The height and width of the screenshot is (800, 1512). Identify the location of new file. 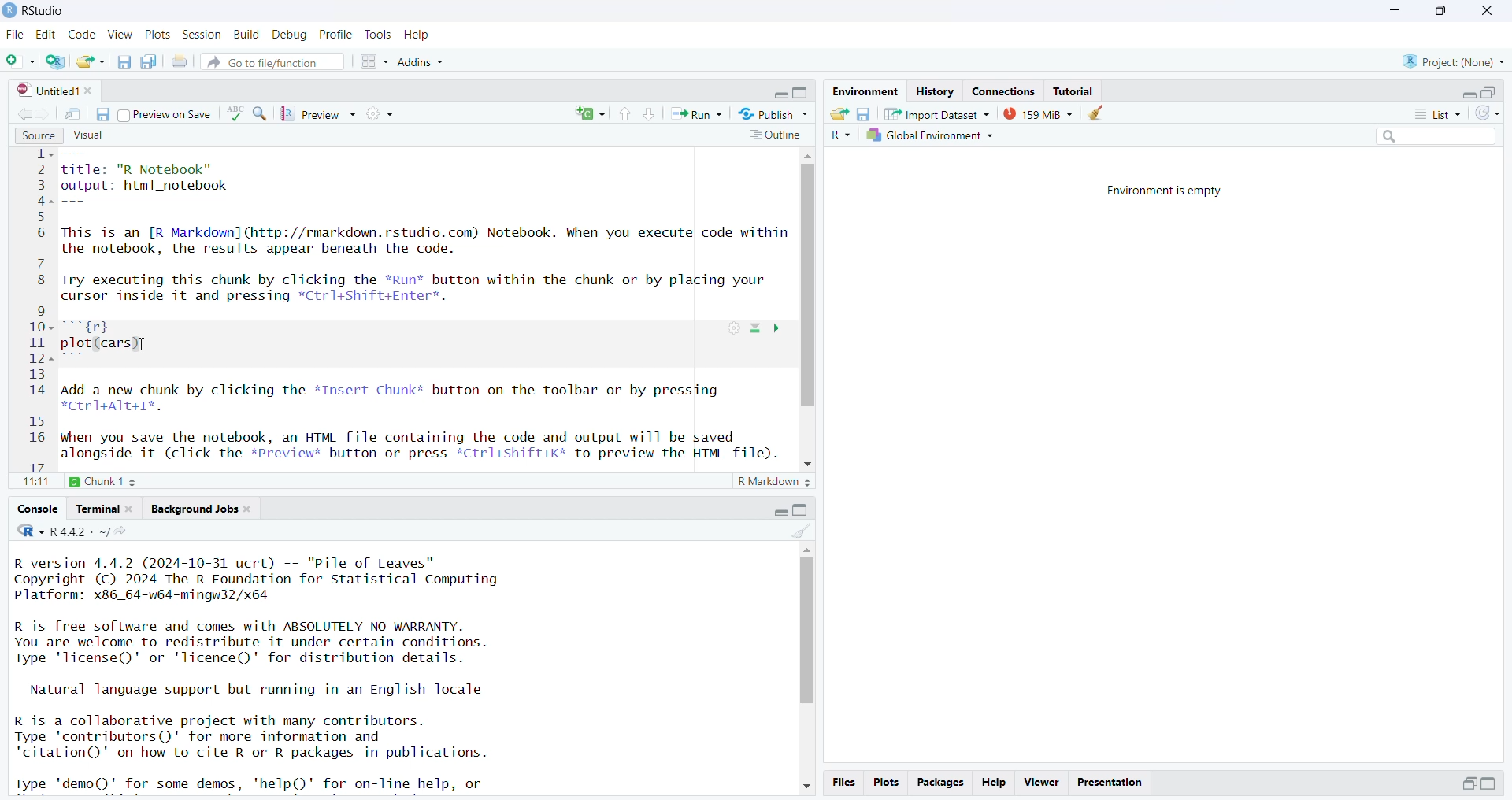
(21, 61).